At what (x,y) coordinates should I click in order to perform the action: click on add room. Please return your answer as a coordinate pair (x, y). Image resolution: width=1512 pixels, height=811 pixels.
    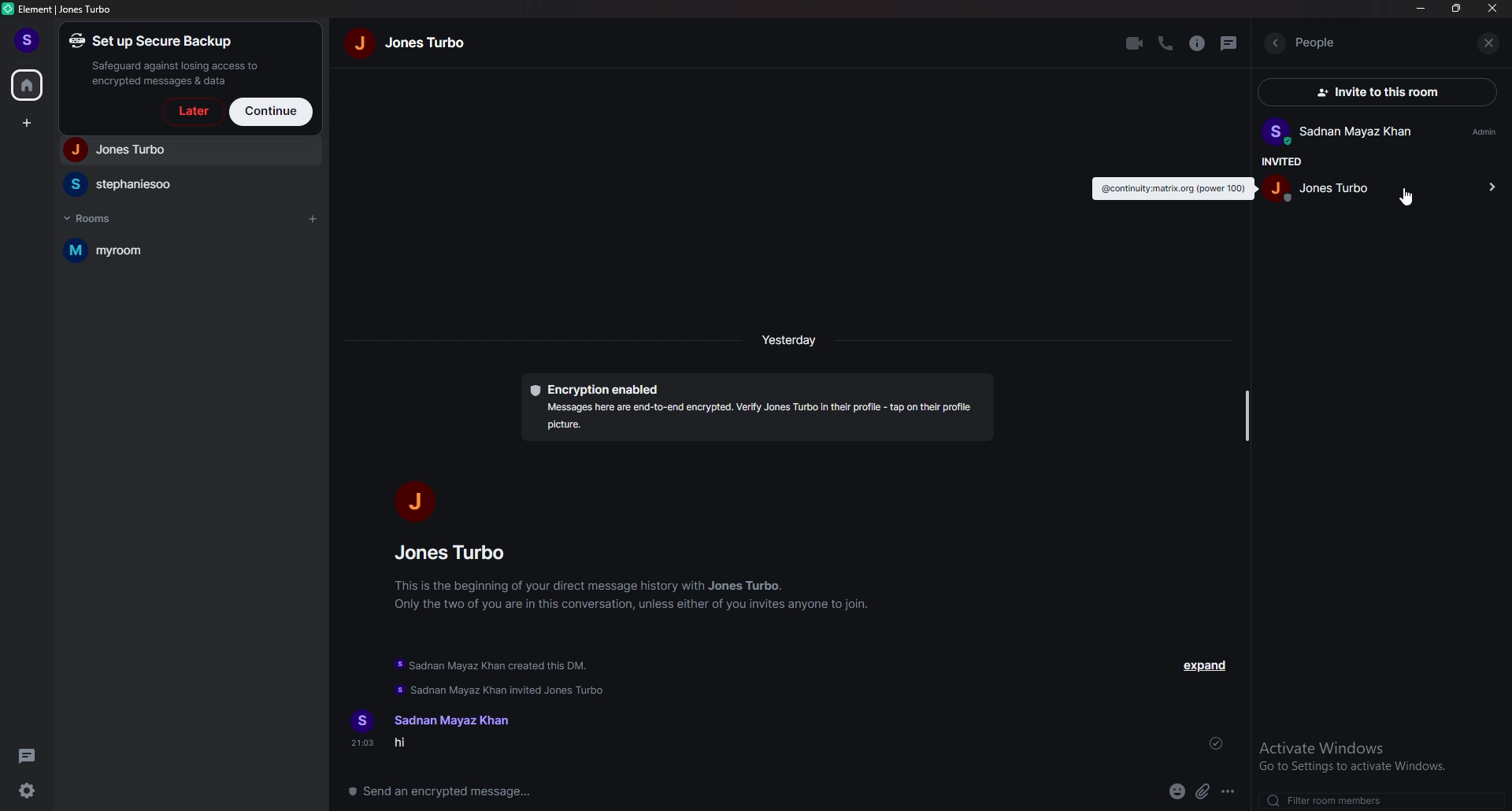
    Looking at the image, I should click on (312, 220).